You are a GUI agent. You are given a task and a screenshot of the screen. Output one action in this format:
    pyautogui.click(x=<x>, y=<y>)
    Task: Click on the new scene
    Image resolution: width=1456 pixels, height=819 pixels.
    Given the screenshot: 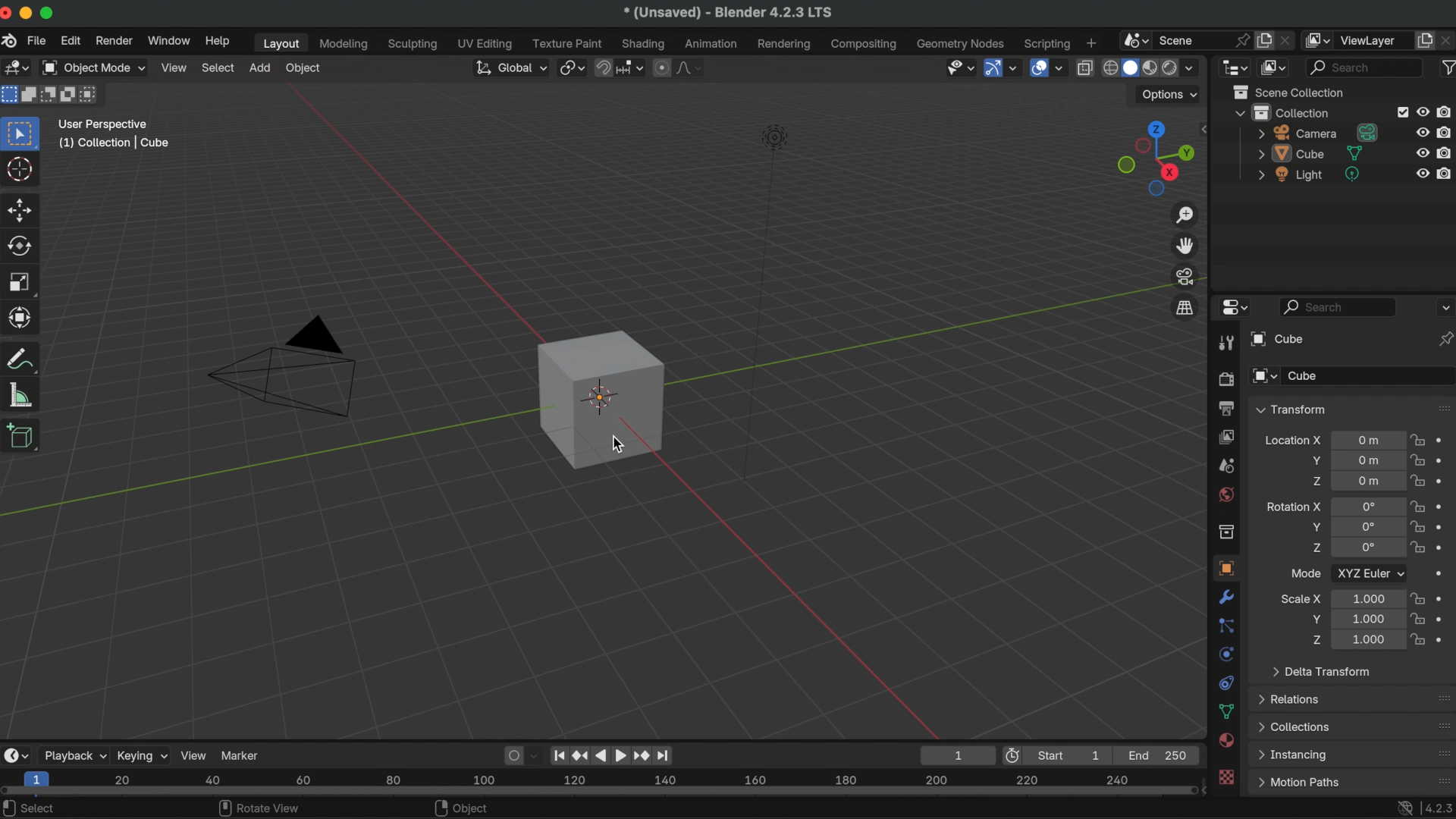 What is the action you would take?
    pyautogui.click(x=1265, y=40)
    